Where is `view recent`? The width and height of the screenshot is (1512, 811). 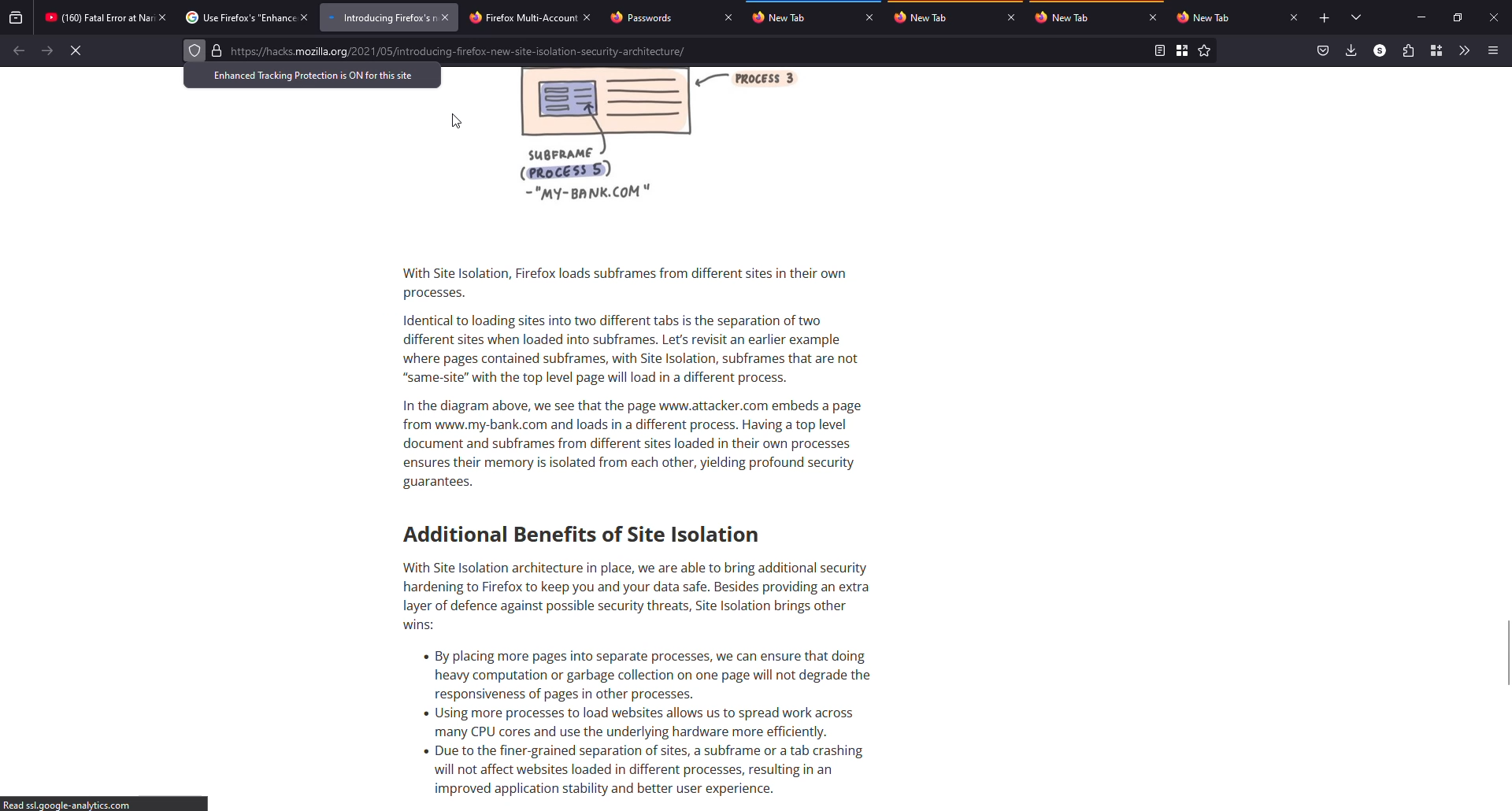
view recent is located at coordinates (17, 17).